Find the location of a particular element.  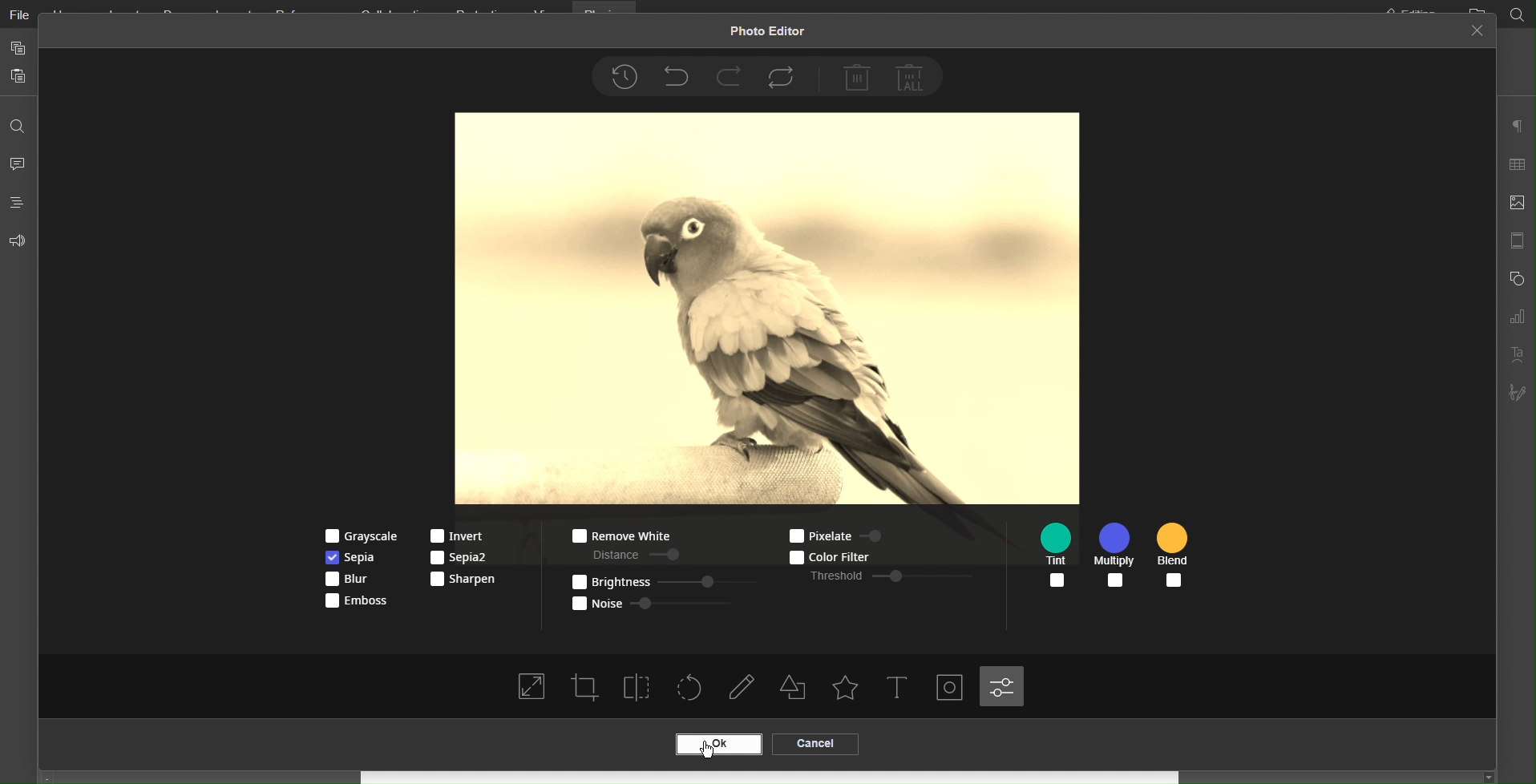

Refresh is located at coordinates (785, 76).